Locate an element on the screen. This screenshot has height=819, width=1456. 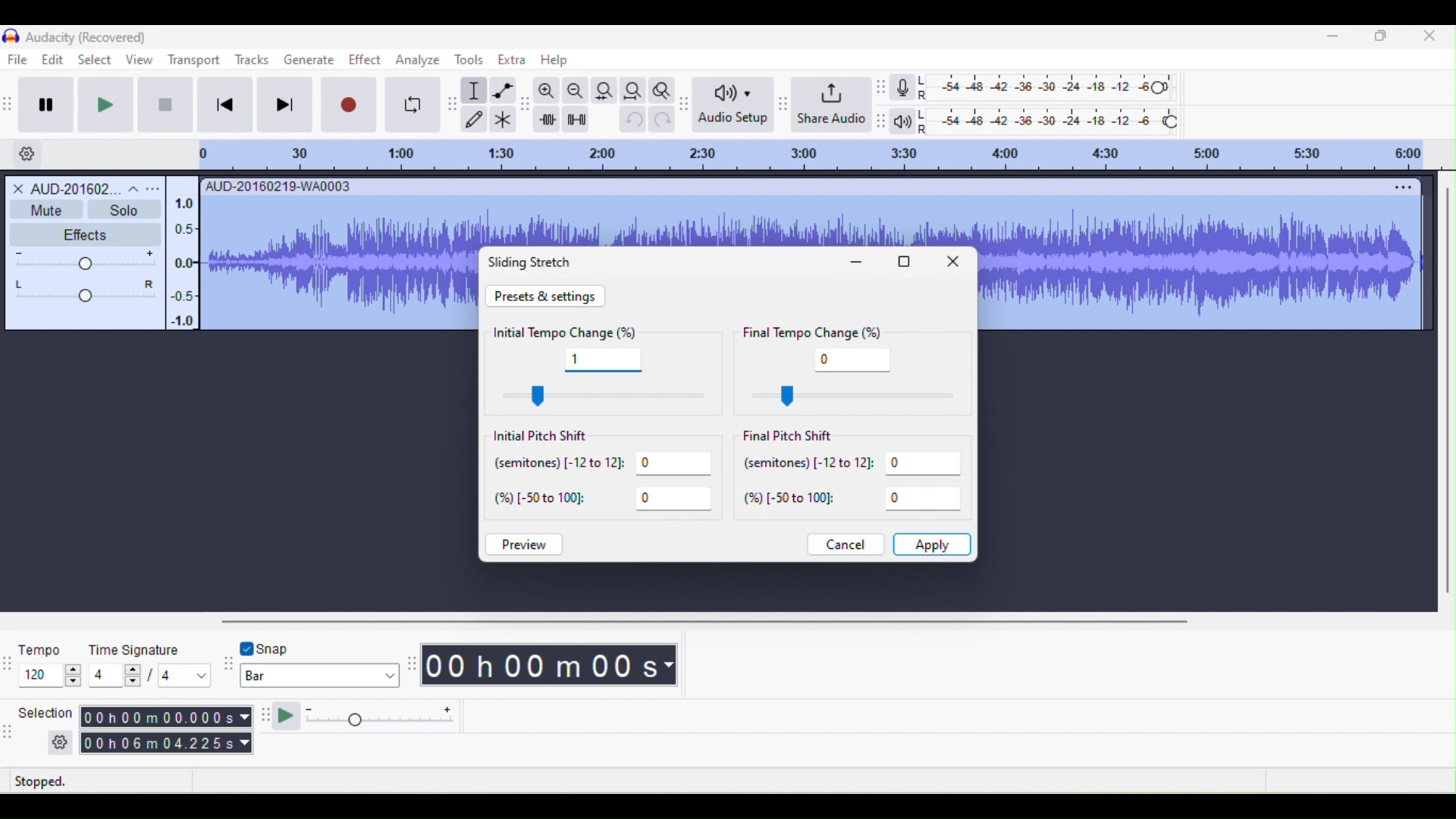
minimize is located at coordinates (1335, 39).